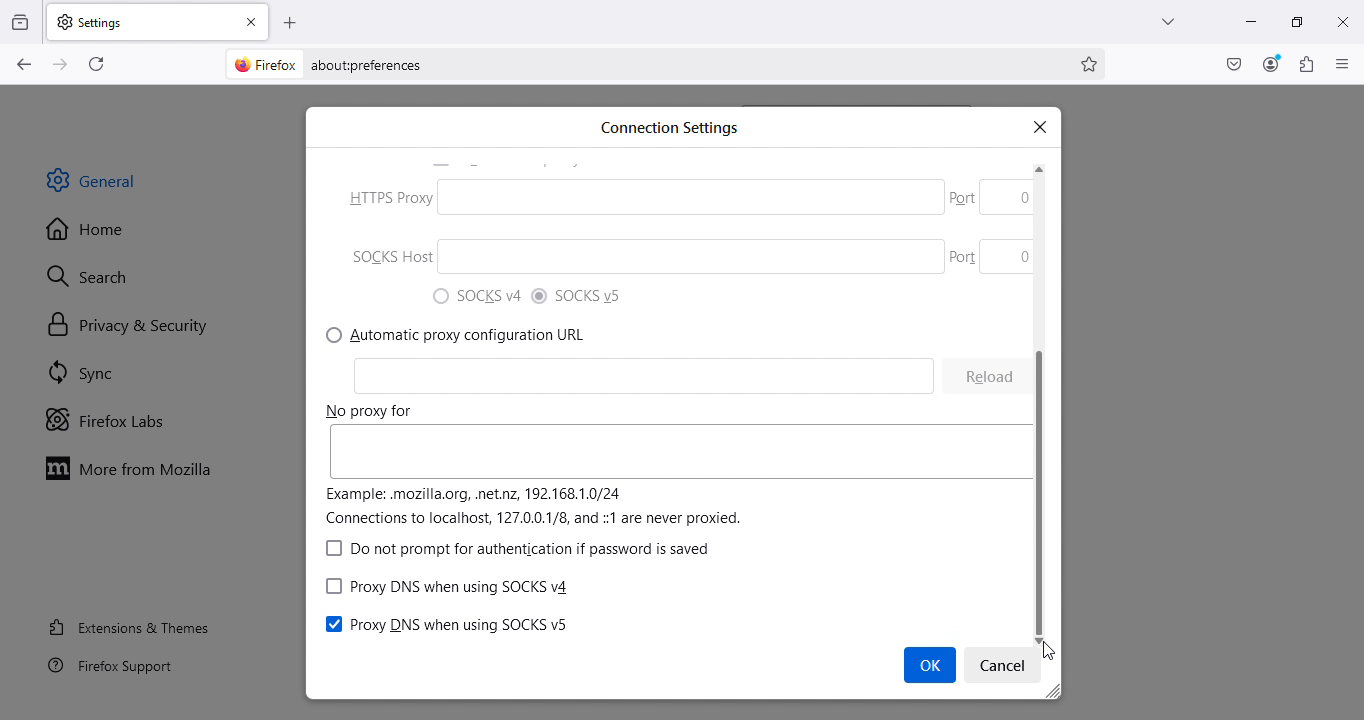 The height and width of the screenshot is (720, 1364). I want to click on Bookmark, so click(1091, 64).